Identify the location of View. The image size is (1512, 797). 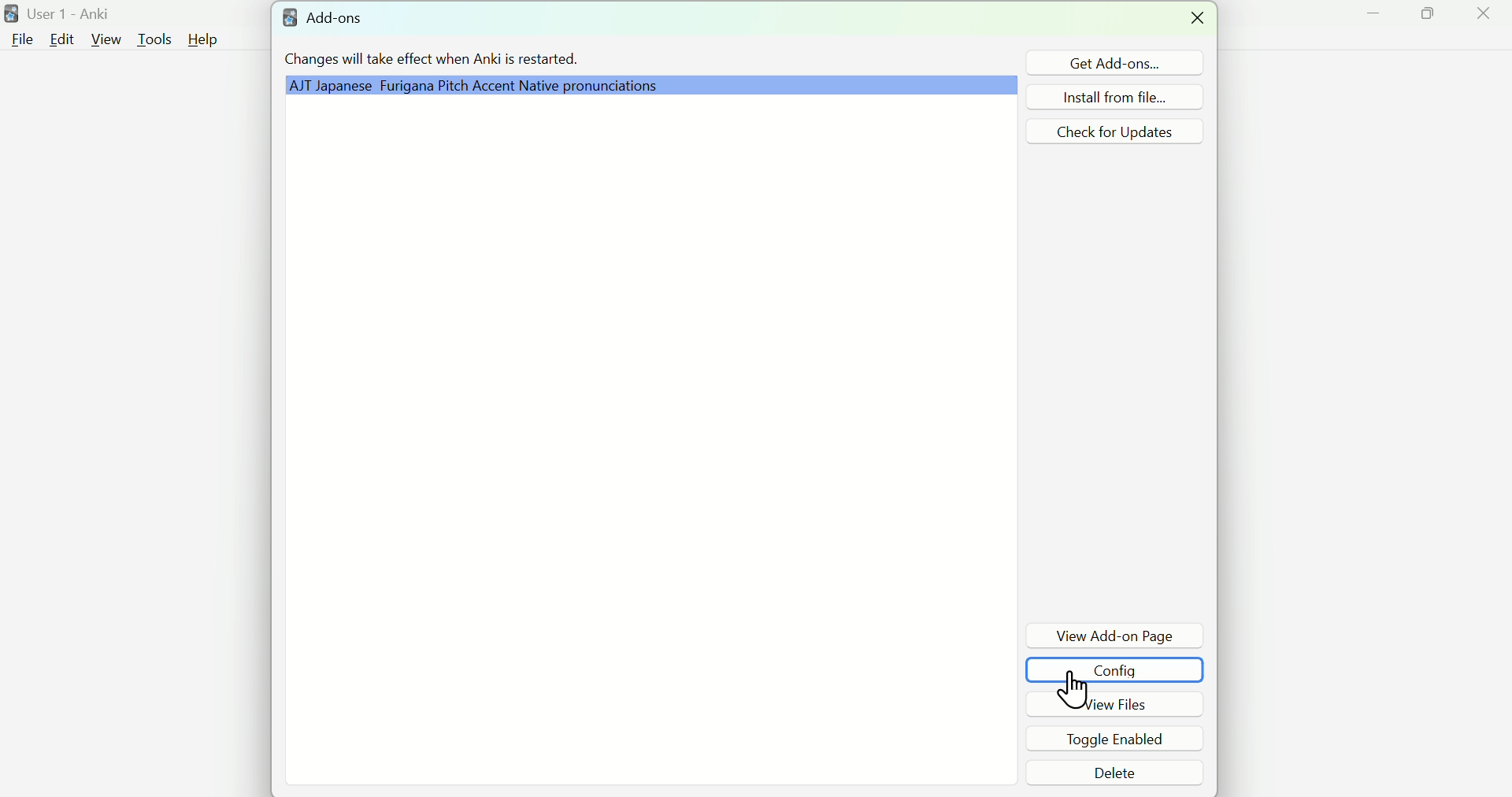
(103, 38).